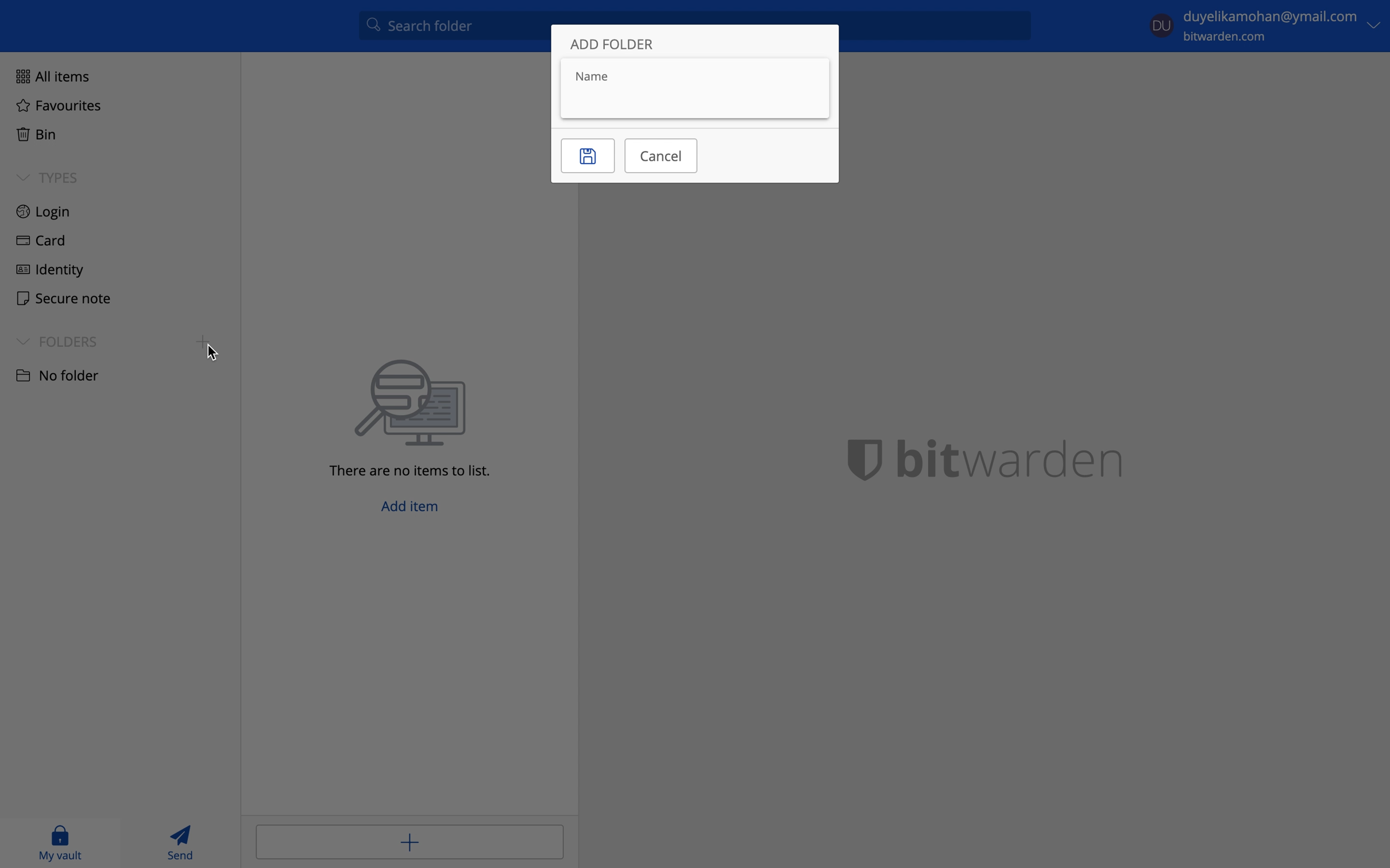 This screenshot has height=868, width=1390. Describe the element at coordinates (588, 156) in the screenshot. I see `save` at that location.